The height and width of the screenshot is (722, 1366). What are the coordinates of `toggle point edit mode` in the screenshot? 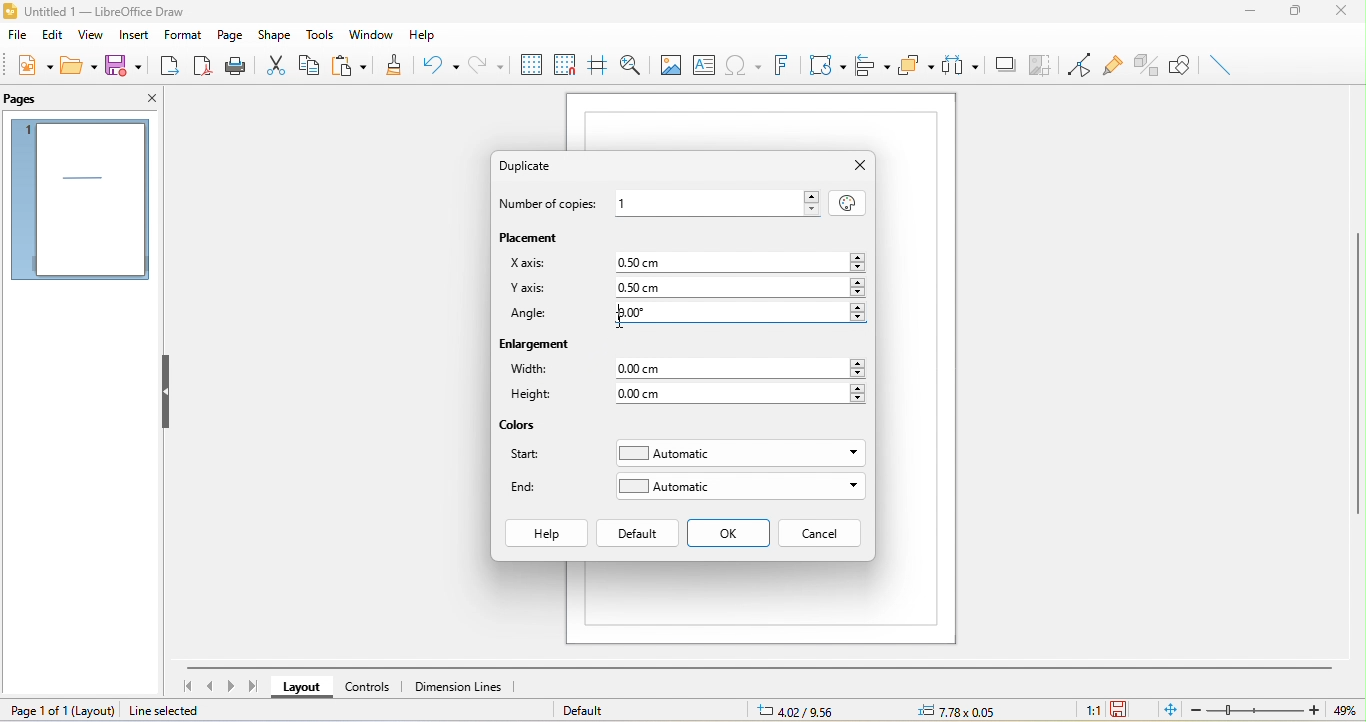 It's located at (1074, 62).